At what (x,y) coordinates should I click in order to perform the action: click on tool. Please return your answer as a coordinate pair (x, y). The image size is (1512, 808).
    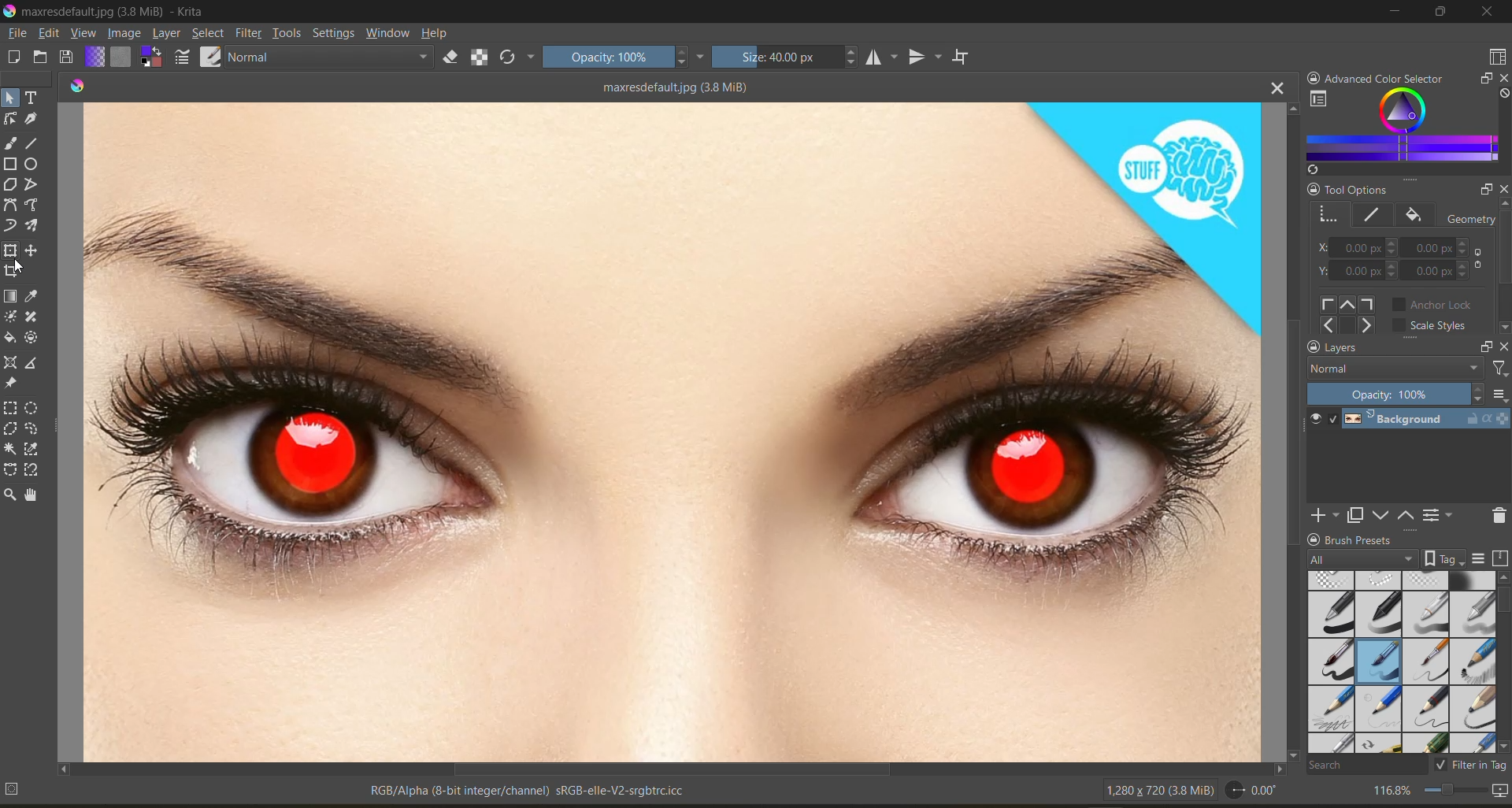
    Looking at the image, I should click on (10, 144).